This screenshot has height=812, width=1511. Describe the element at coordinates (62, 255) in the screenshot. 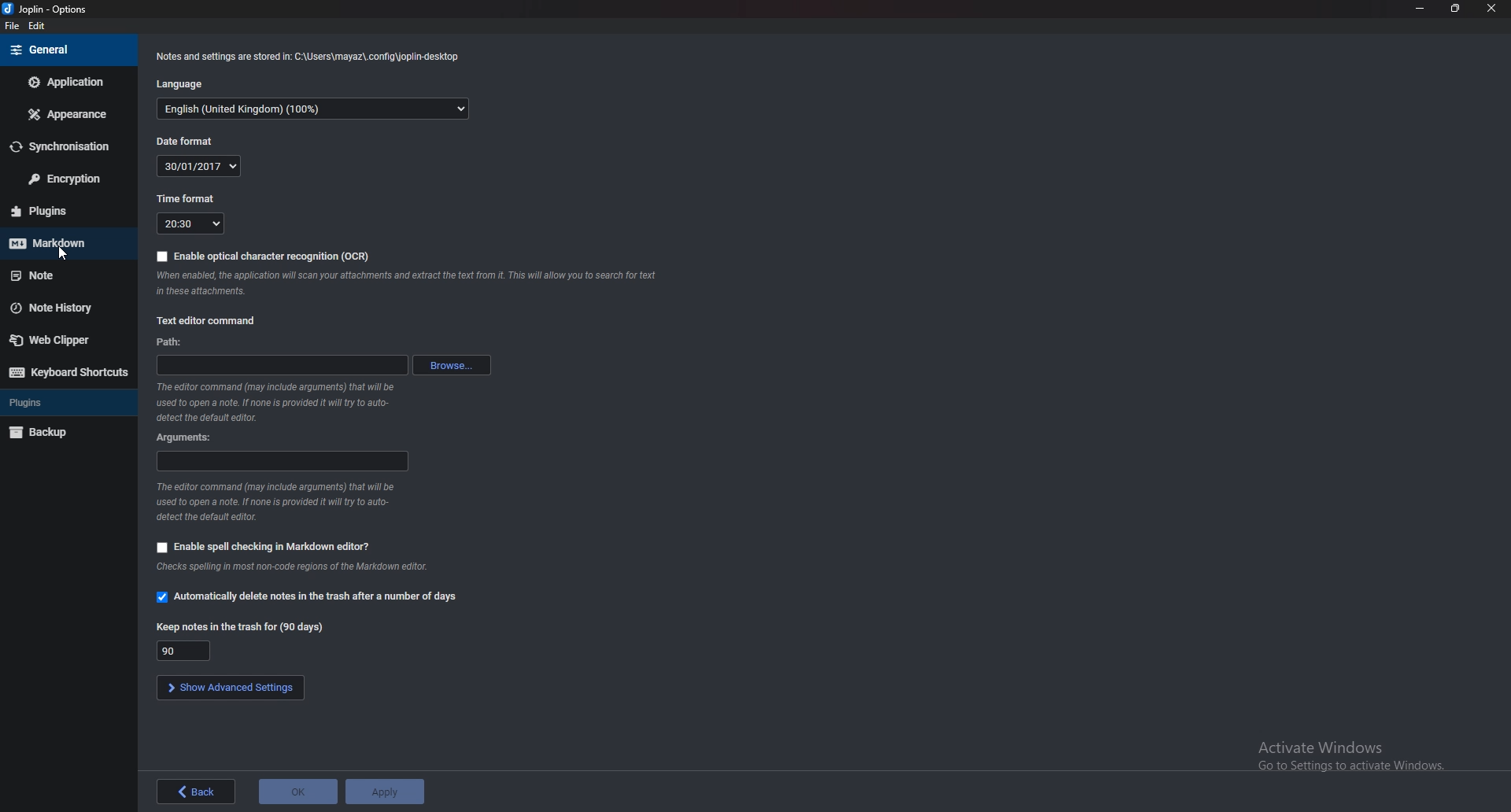

I see `cursor` at that location.